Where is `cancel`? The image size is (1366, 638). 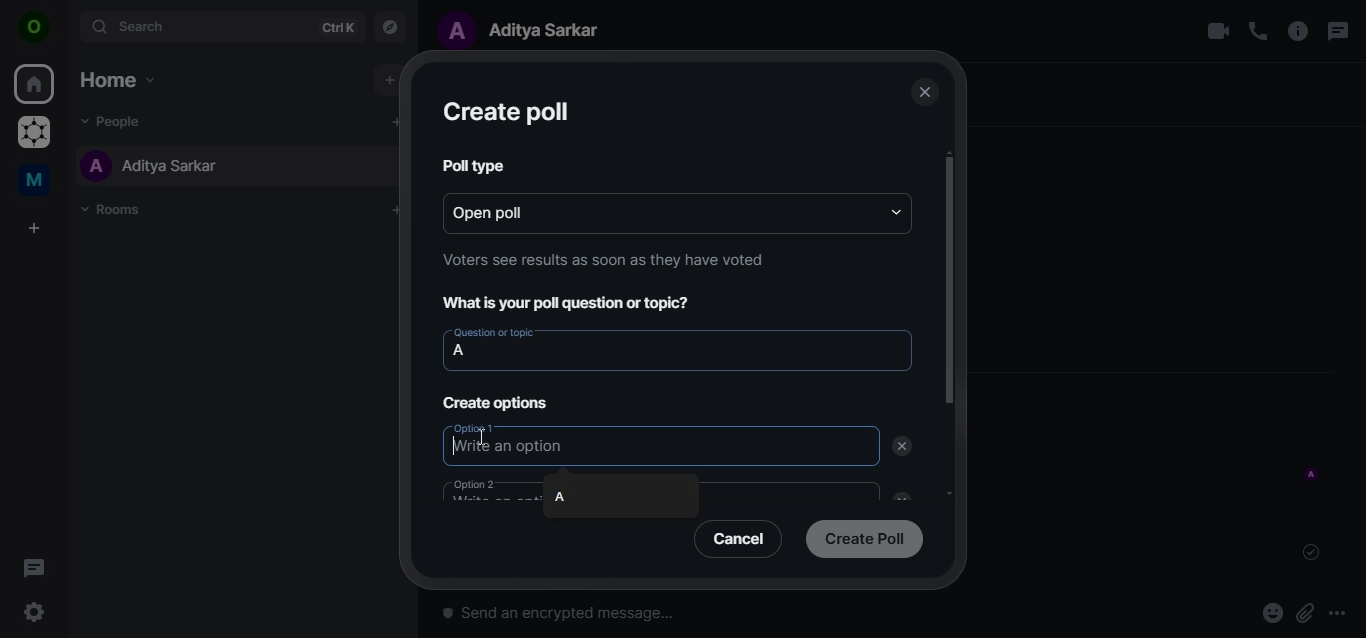 cancel is located at coordinates (742, 538).